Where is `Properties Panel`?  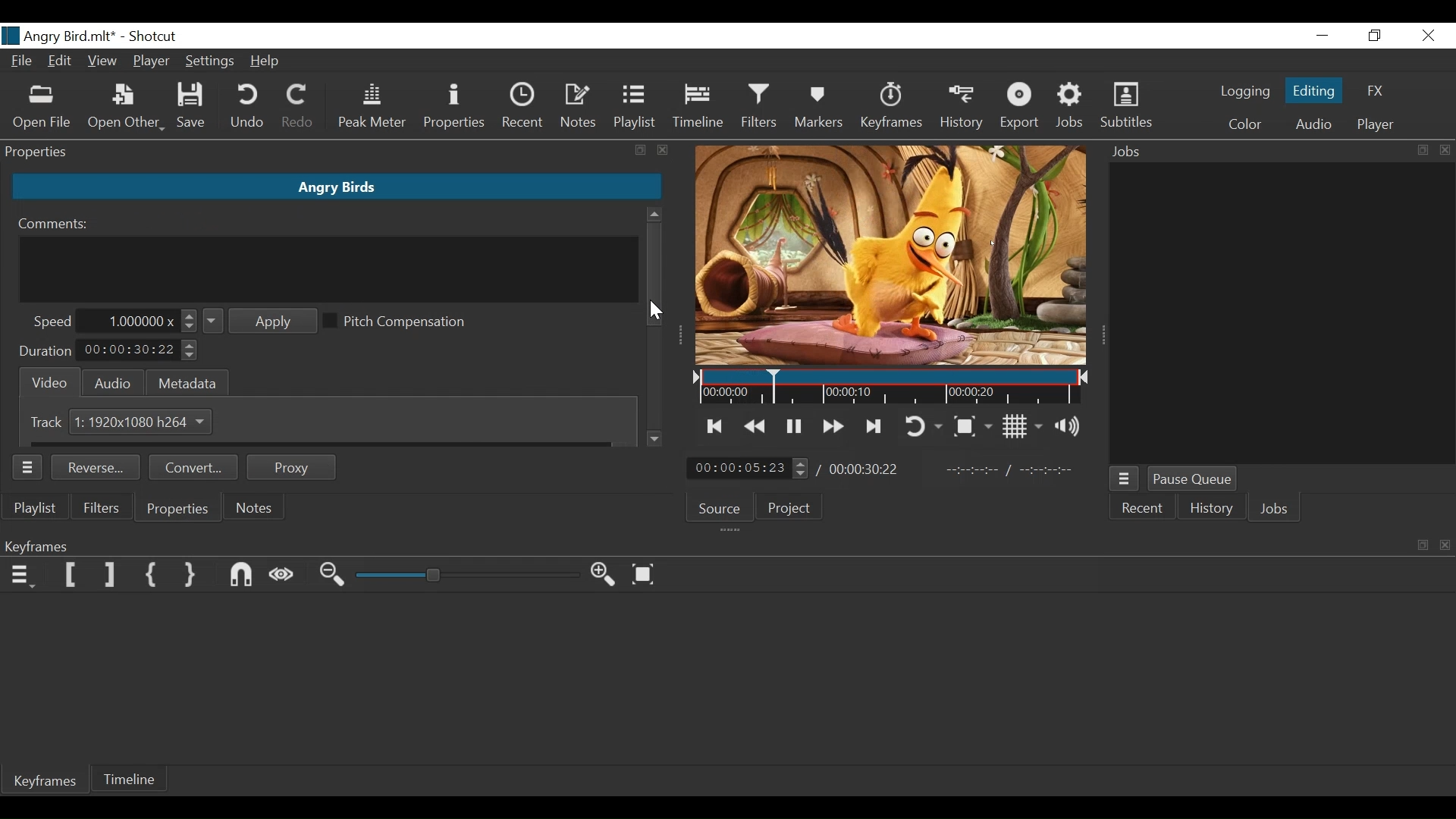 Properties Panel is located at coordinates (28, 466).